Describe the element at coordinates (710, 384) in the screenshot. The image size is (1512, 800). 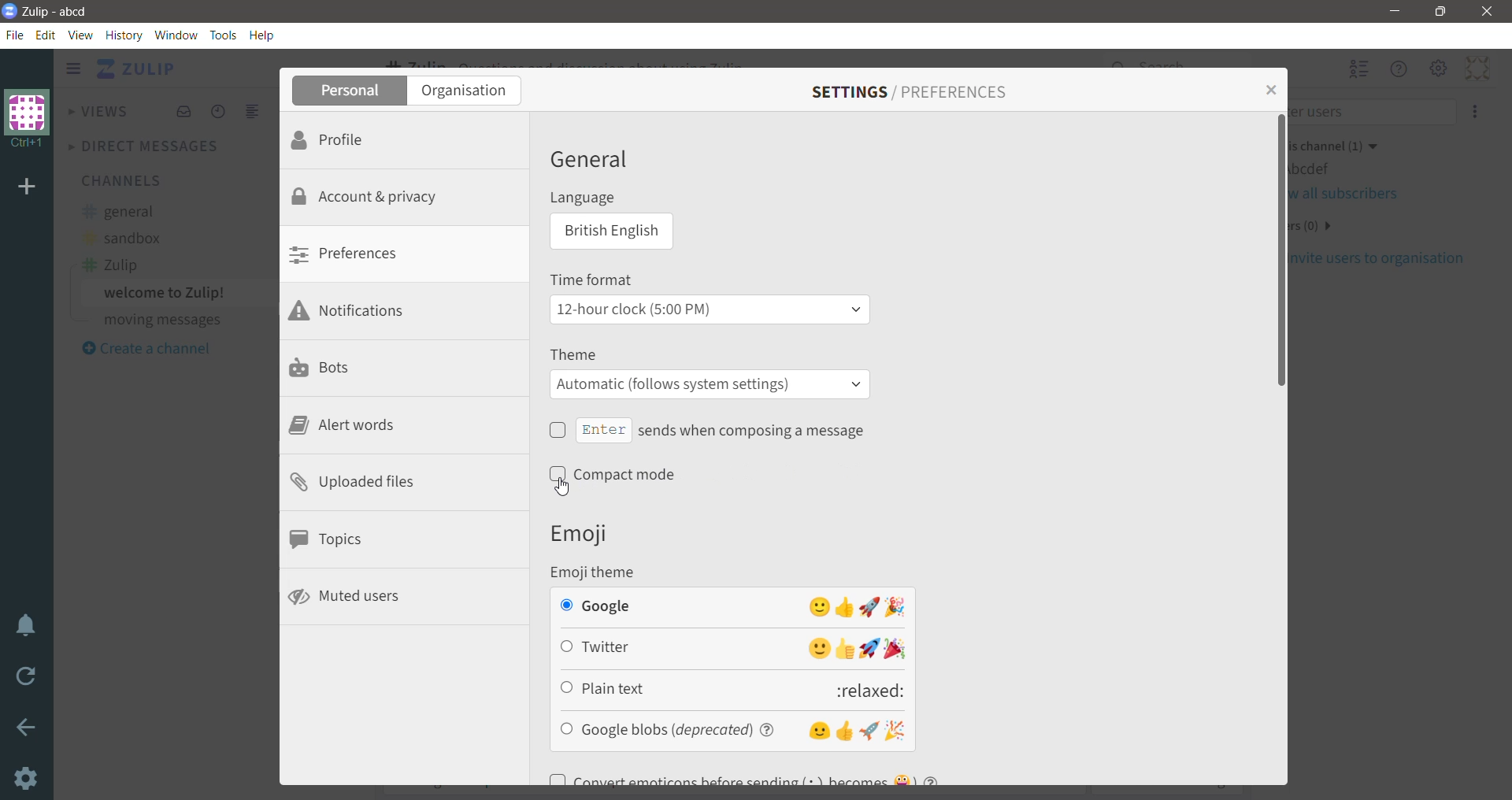
I see `Automic (follow system settings)` at that location.